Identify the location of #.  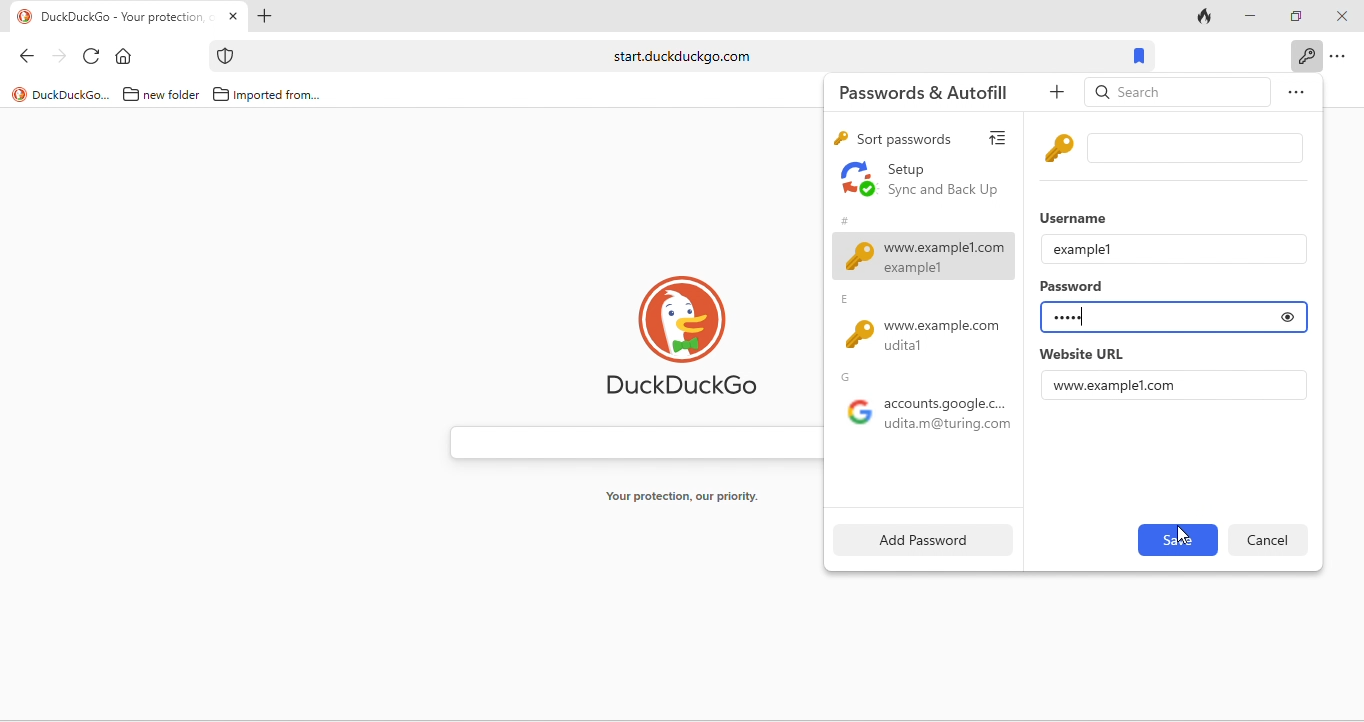
(844, 218).